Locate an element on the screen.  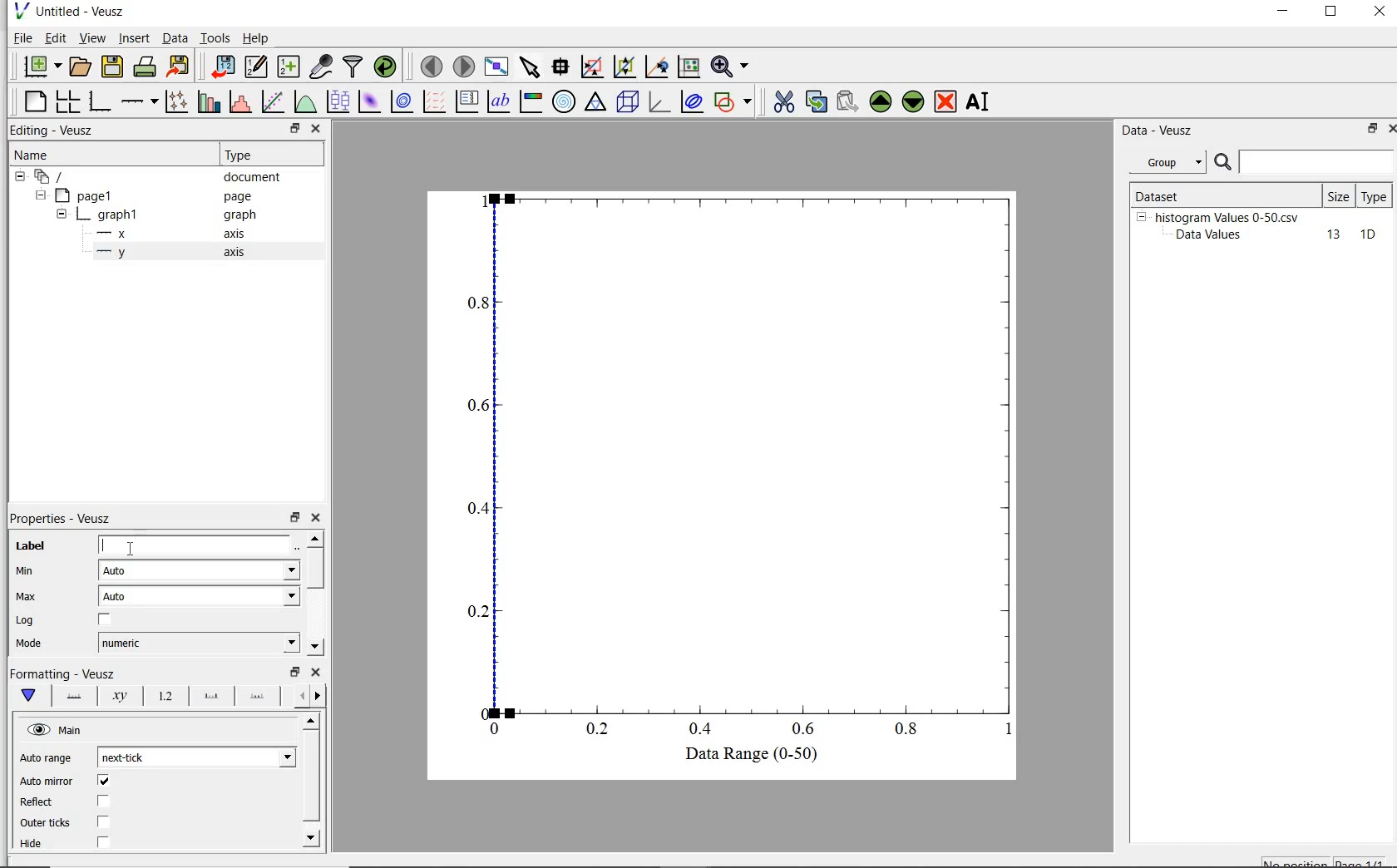
Log is located at coordinates (24, 621).